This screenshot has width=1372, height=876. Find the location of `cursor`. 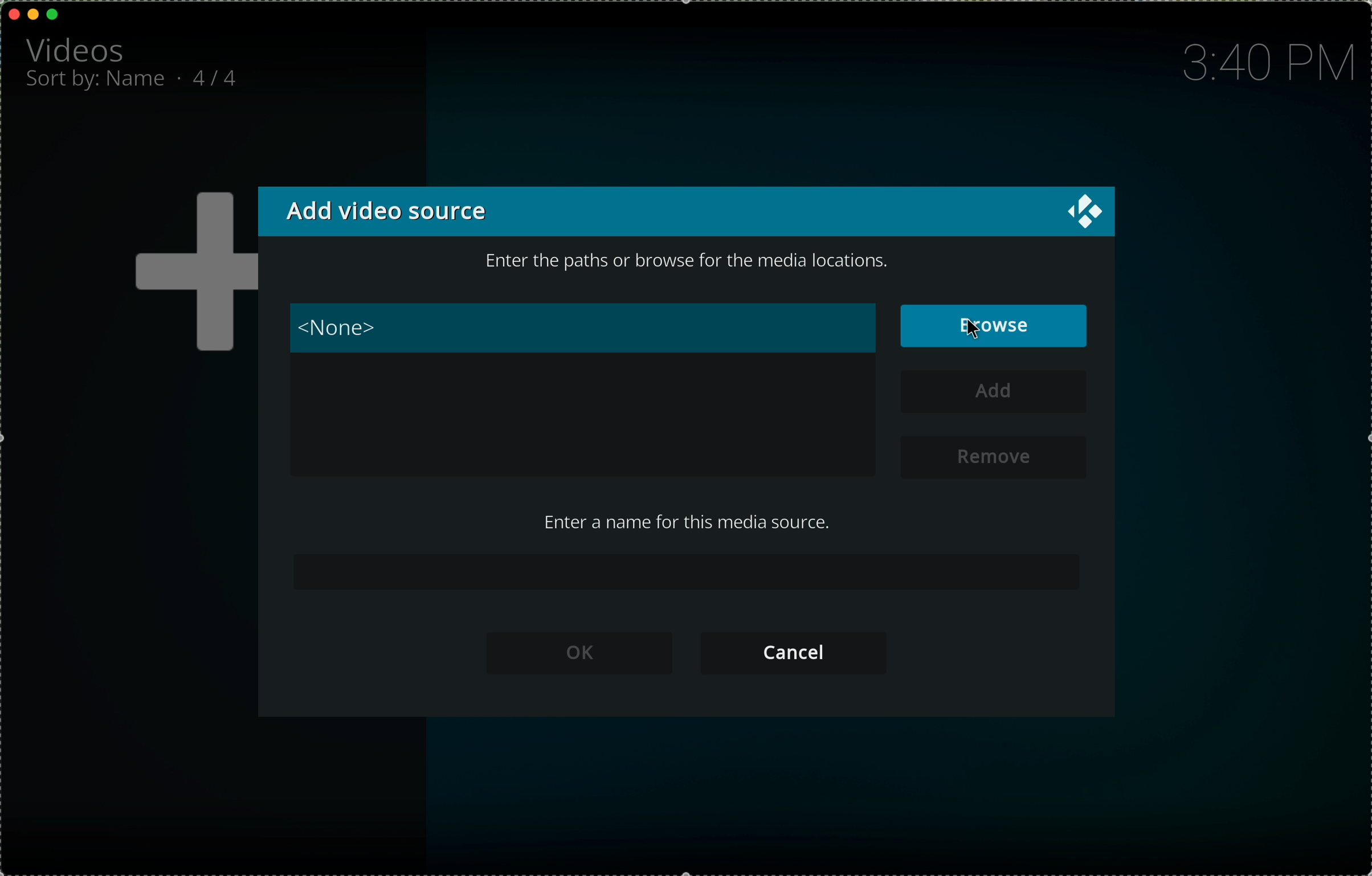

cursor is located at coordinates (973, 324).